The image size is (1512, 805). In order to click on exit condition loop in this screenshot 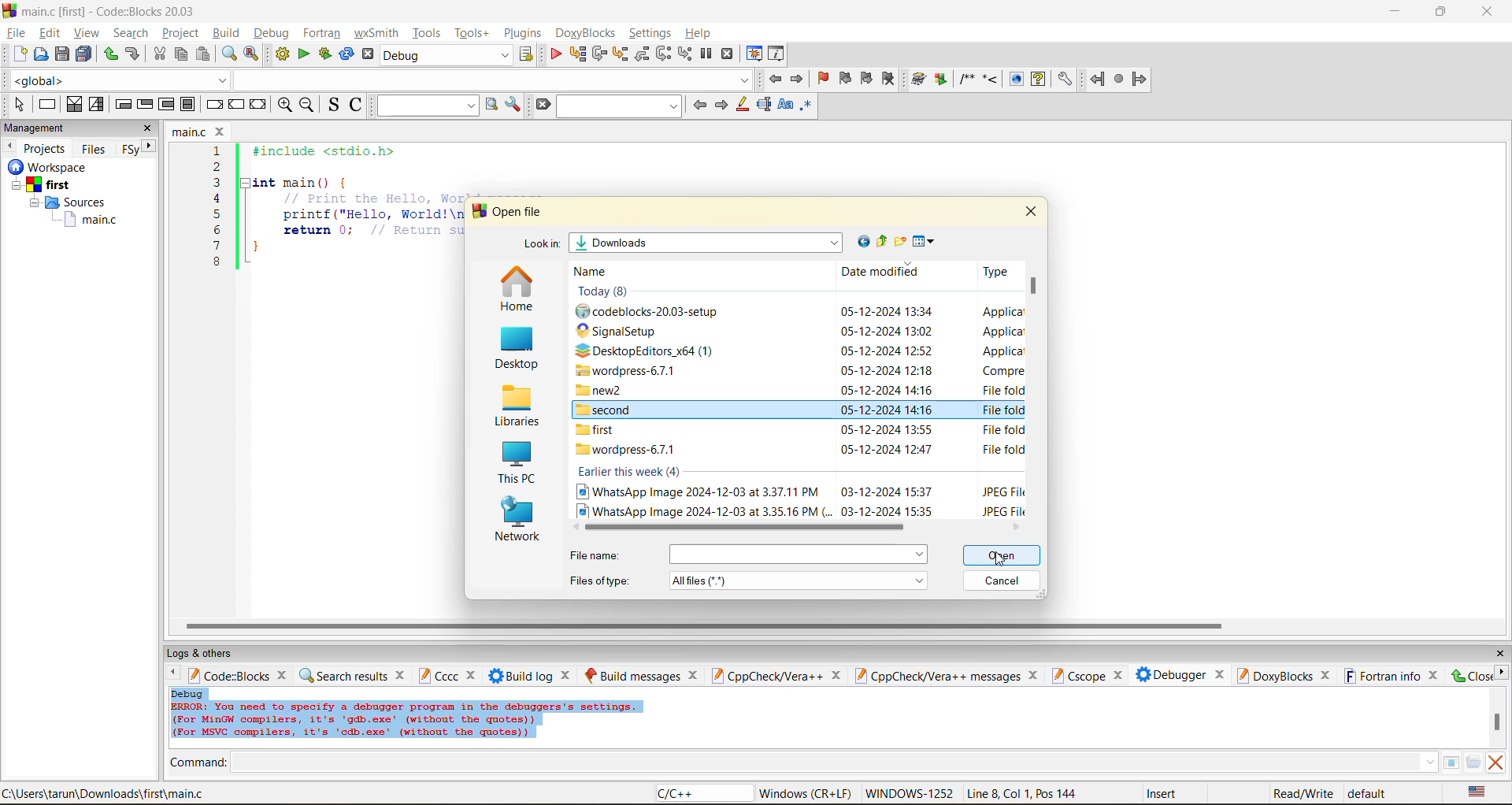, I will do `click(145, 106)`.